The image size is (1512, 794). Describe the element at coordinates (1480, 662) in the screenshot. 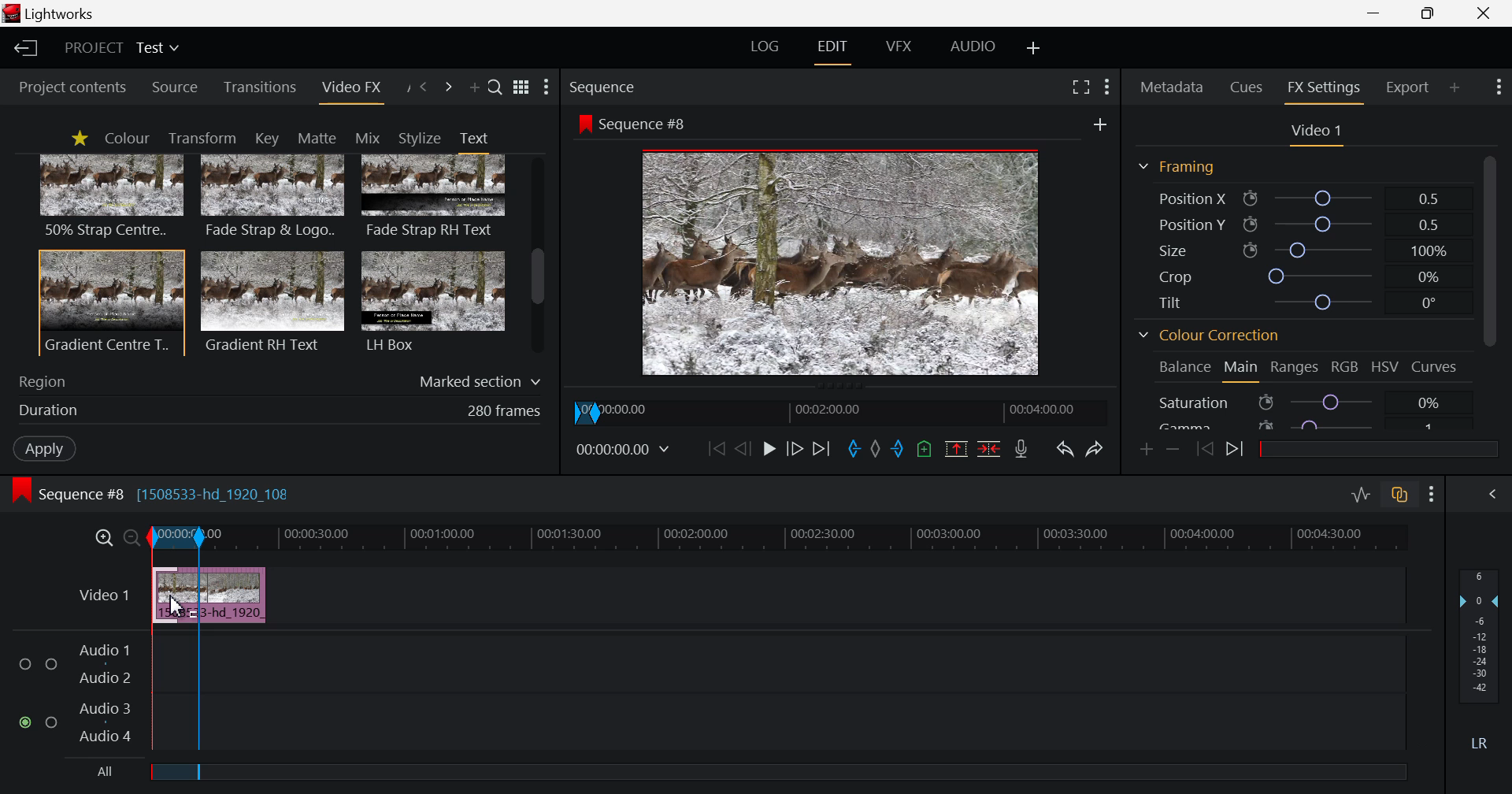

I see `Decibel Level` at that location.